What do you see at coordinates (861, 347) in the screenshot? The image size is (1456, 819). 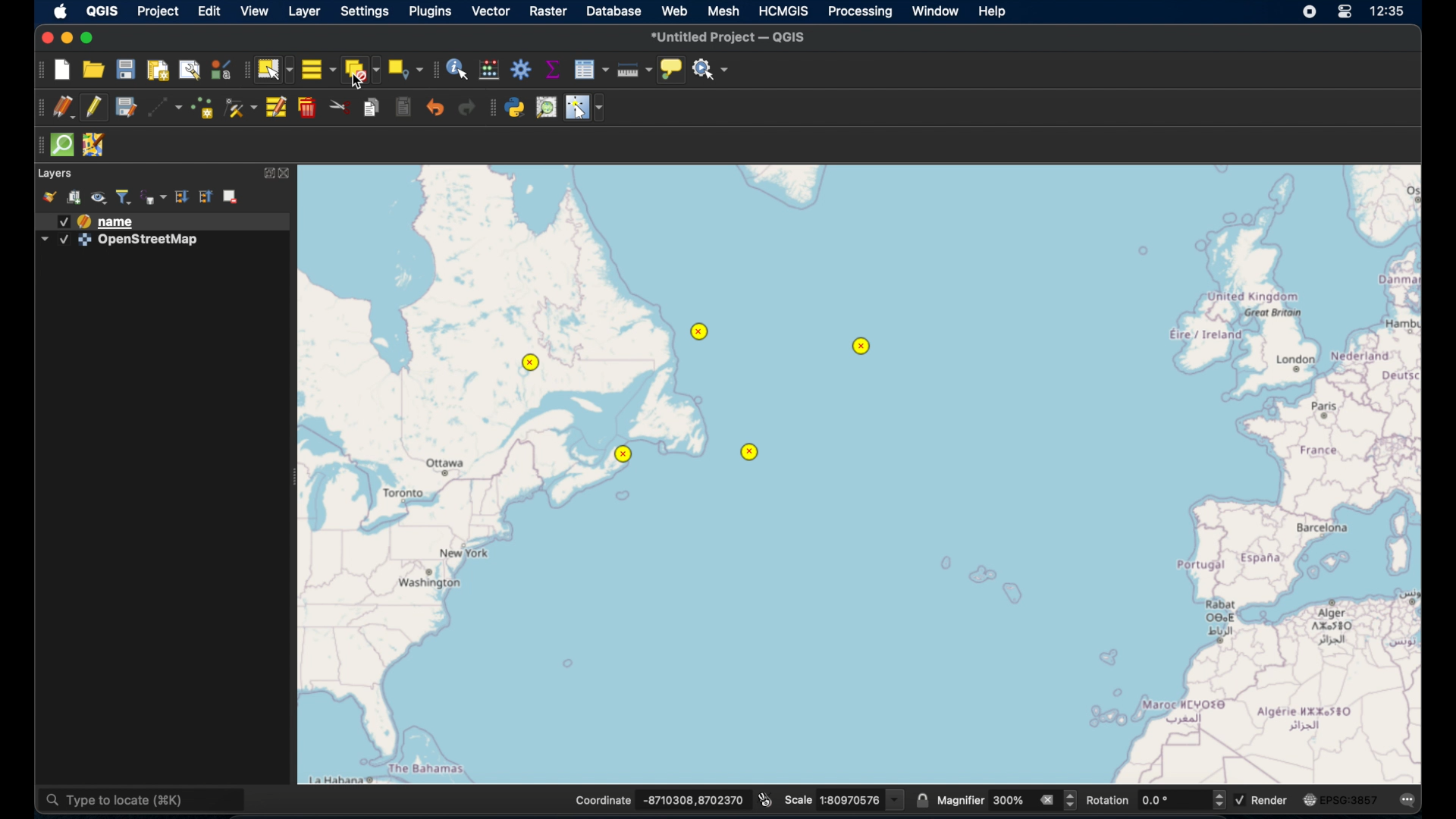 I see `selected point` at bounding box center [861, 347].